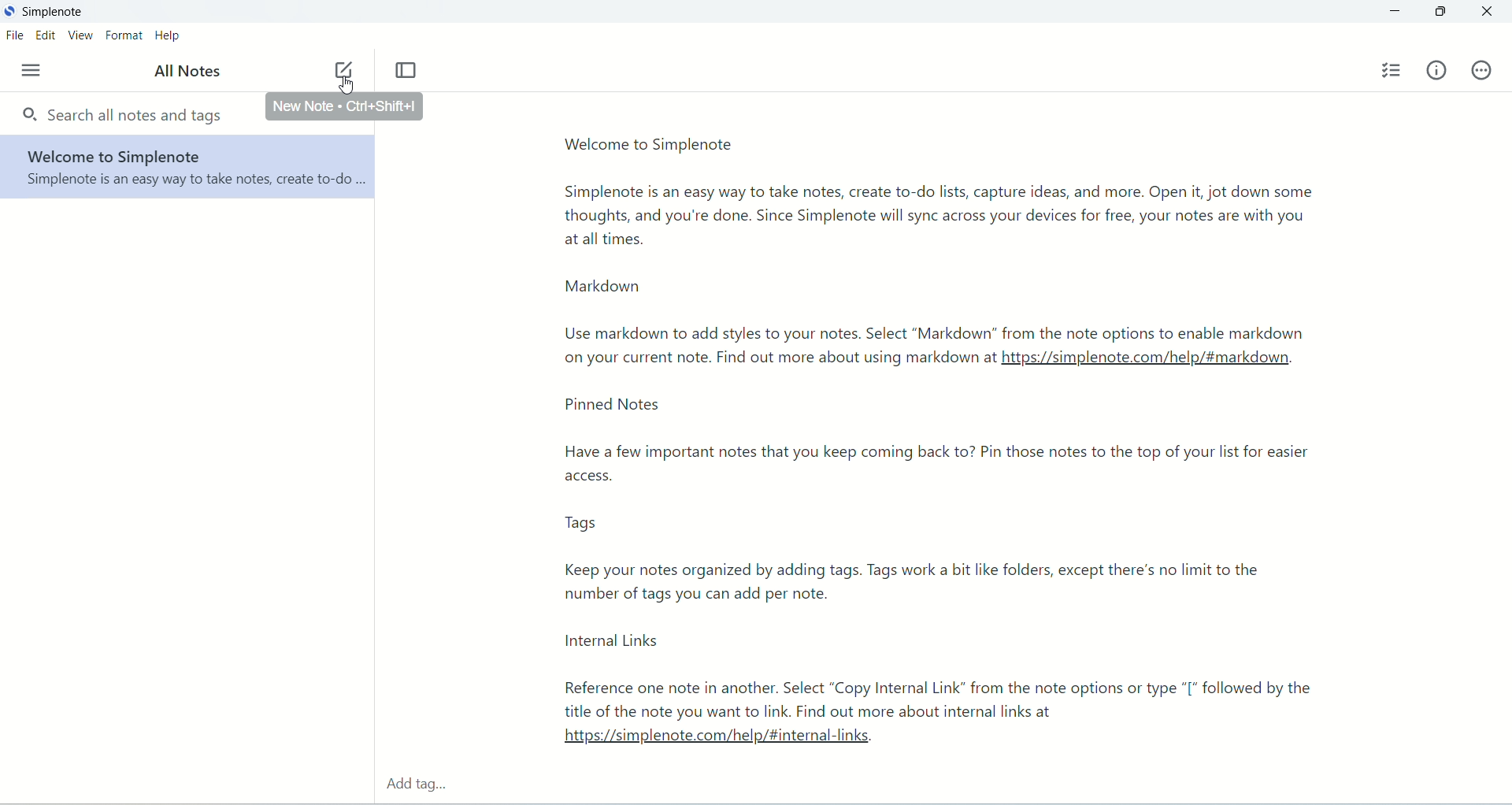 Image resolution: width=1512 pixels, height=805 pixels. What do you see at coordinates (188, 169) in the screenshot?
I see `welcome to Simplenote` at bounding box center [188, 169].